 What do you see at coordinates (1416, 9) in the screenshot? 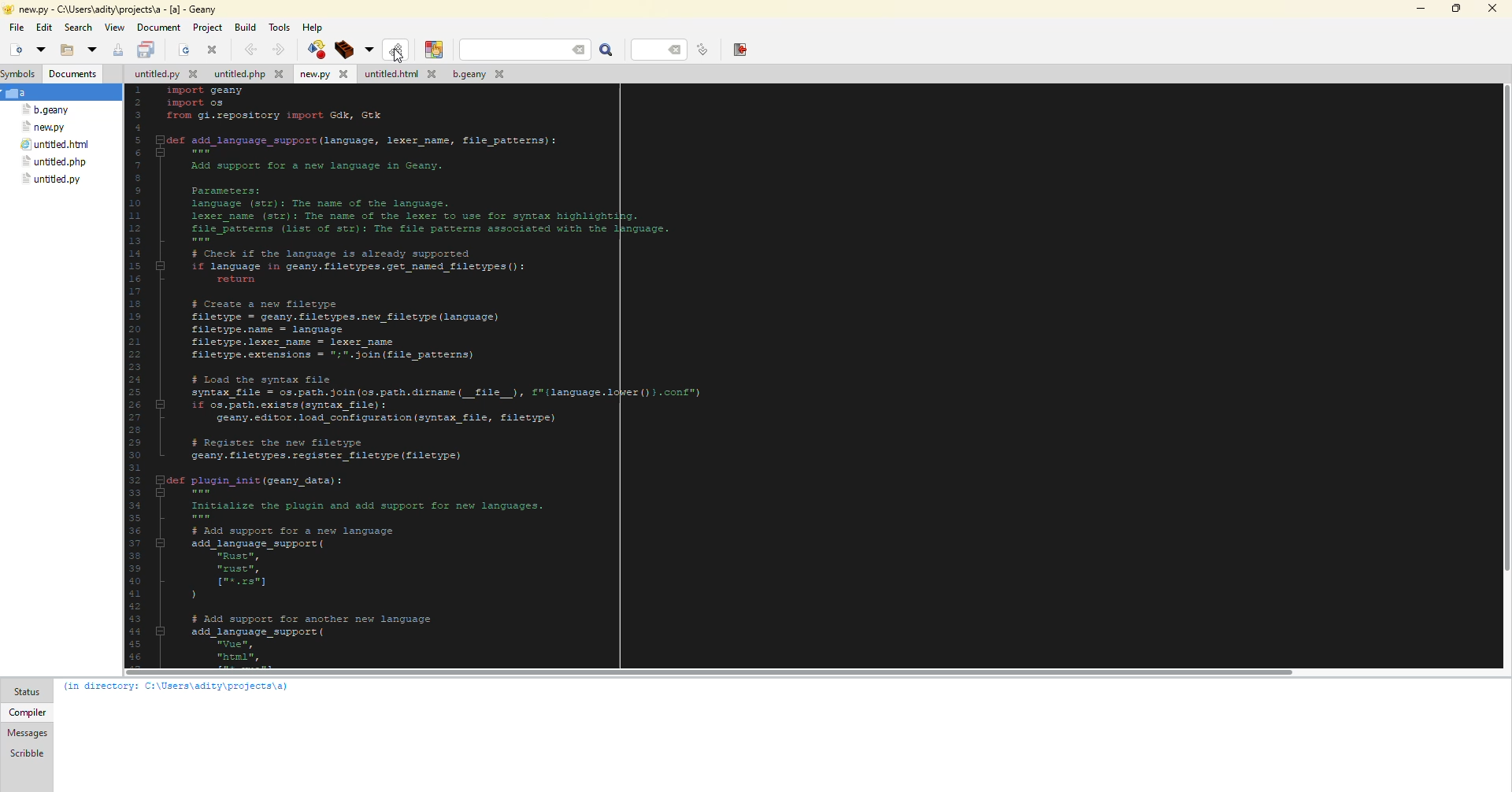
I see `minimize` at bounding box center [1416, 9].